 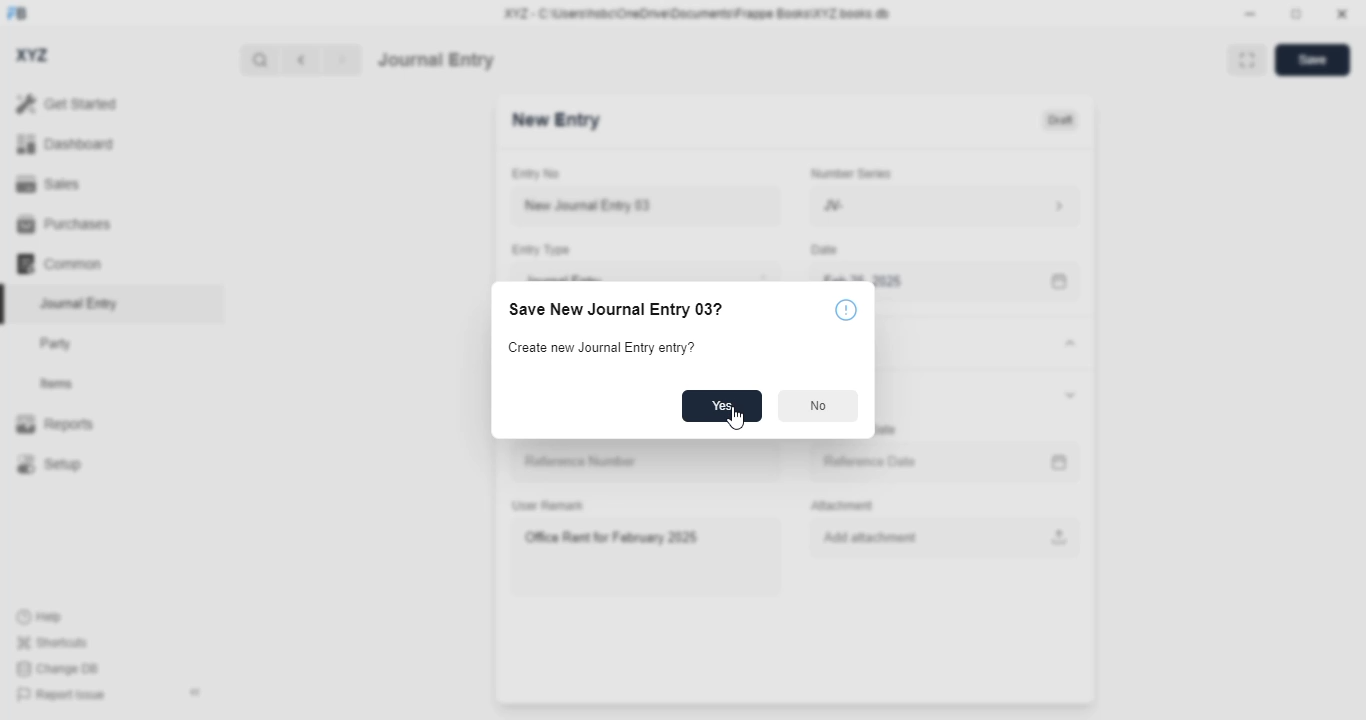 What do you see at coordinates (436, 60) in the screenshot?
I see `journal entry` at bounding box center [436, 60].